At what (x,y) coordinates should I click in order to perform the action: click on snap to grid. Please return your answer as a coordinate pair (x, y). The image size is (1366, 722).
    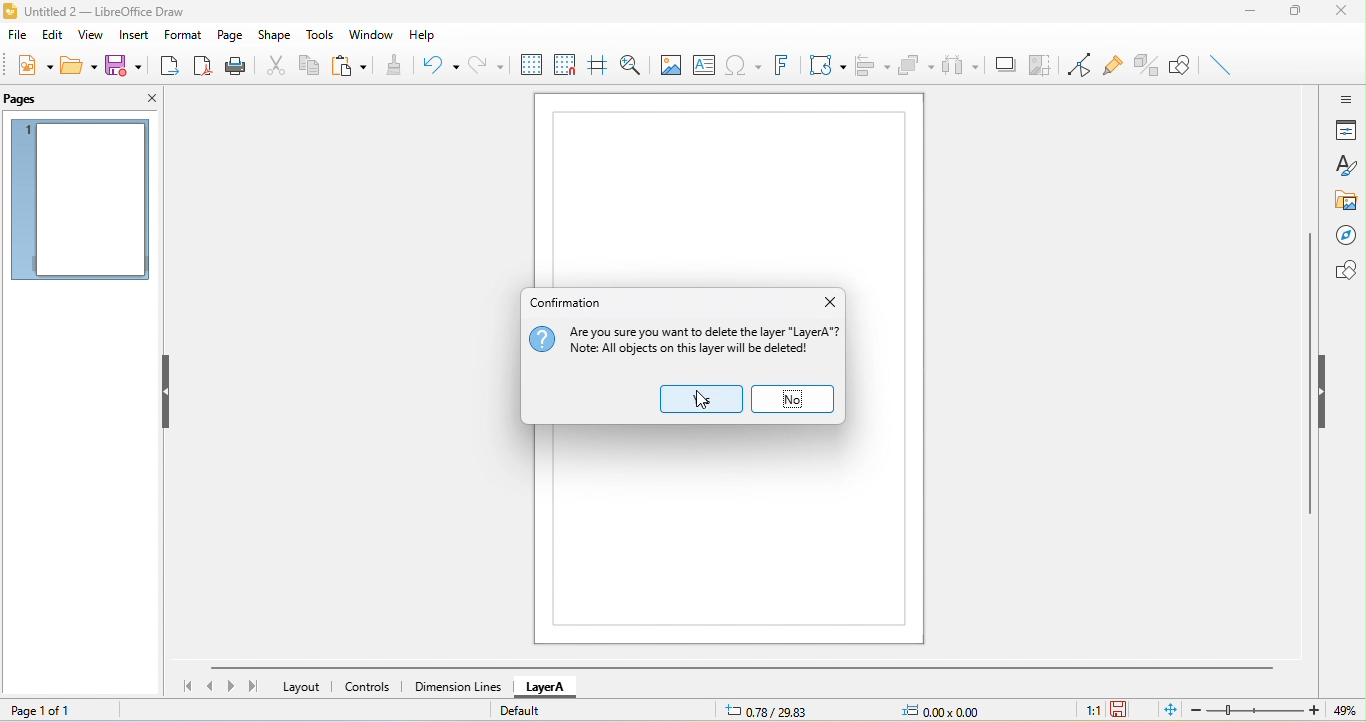
    Looking at the image, I should click on (565, 68).